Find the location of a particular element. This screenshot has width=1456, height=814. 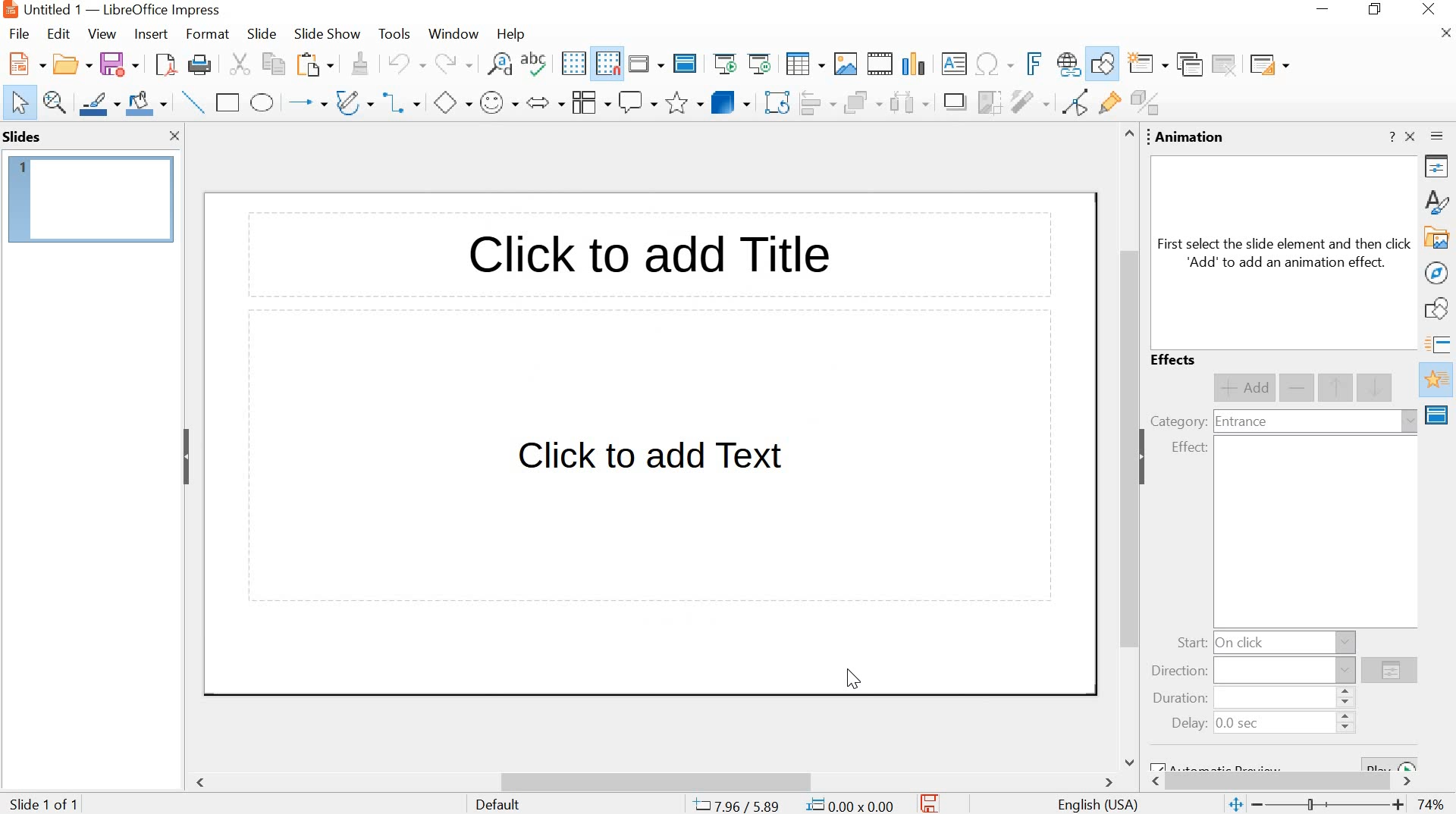

insert special character is located at coordinates (993, 64).